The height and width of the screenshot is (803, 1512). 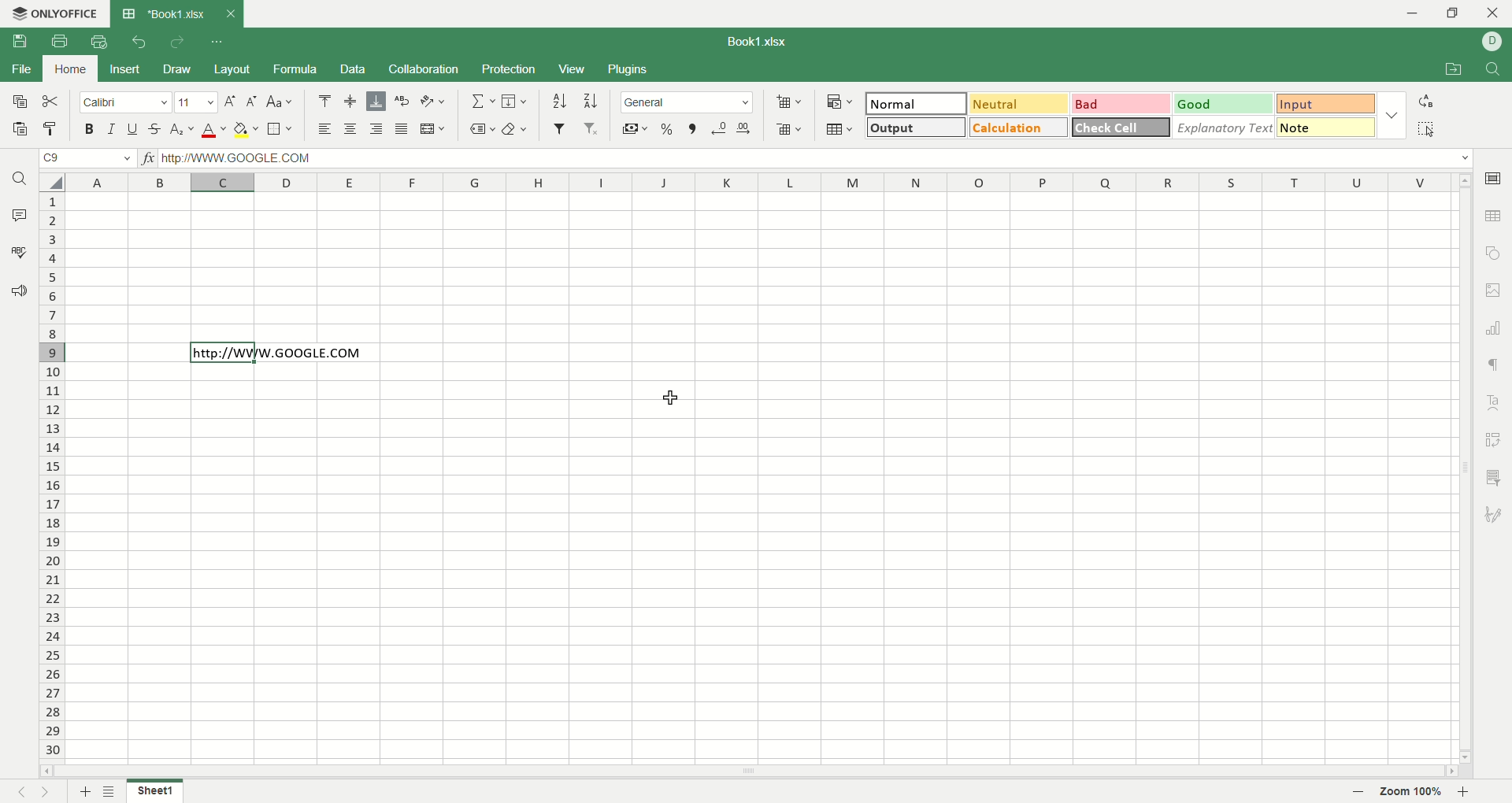 I want to click on feedback and support, so click(x=17, y=290).